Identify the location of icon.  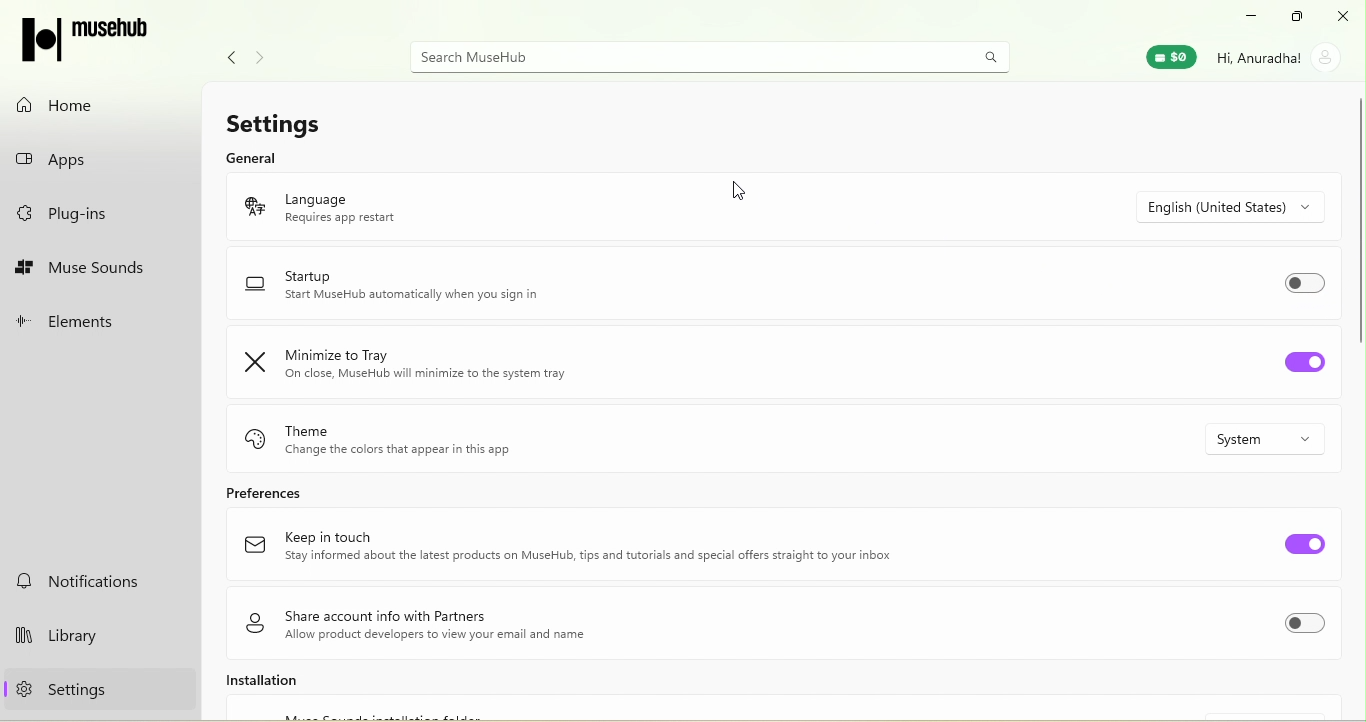
(85, 36).